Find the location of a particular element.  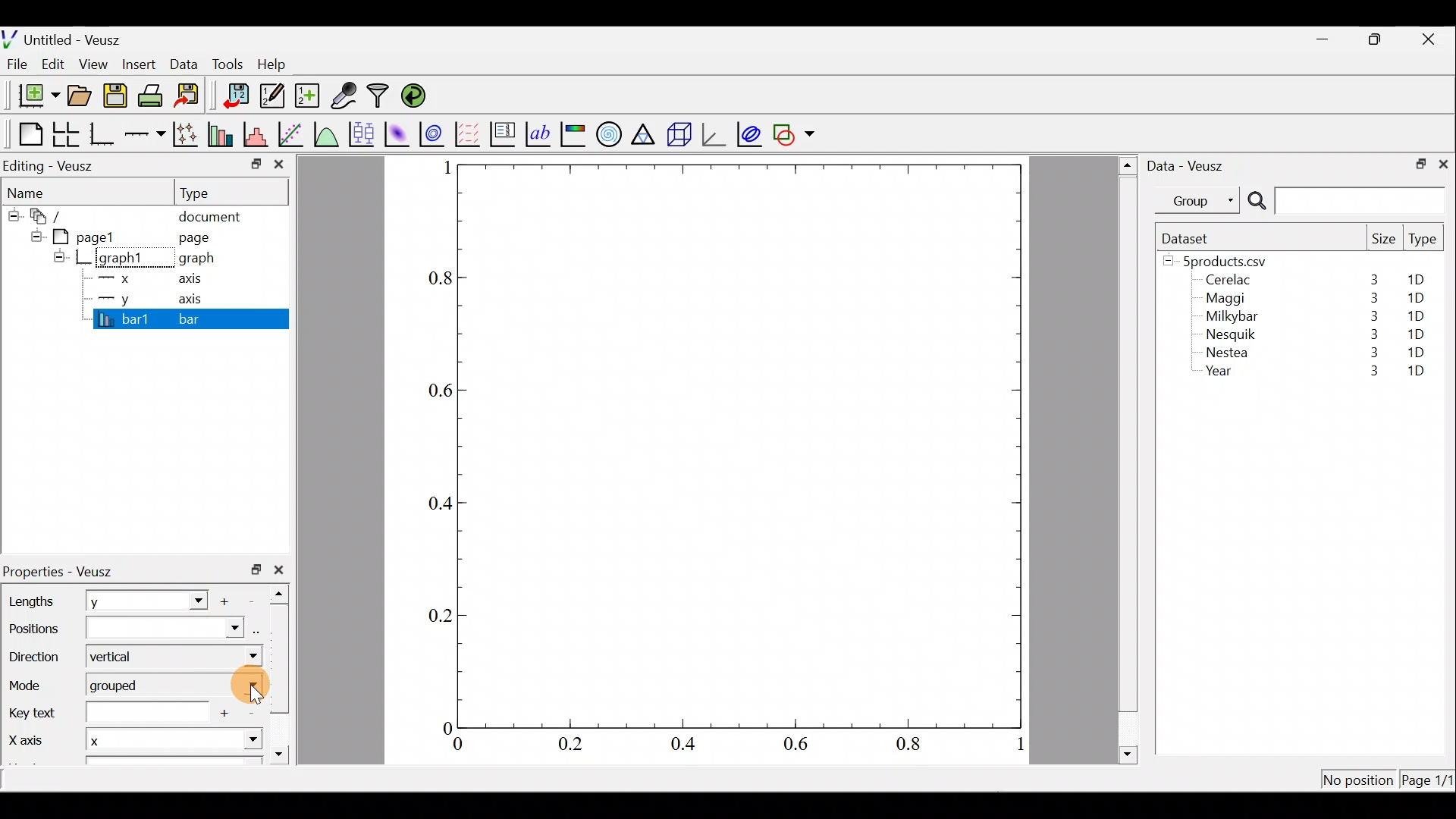

1D is located at coordinates (1421, 280).